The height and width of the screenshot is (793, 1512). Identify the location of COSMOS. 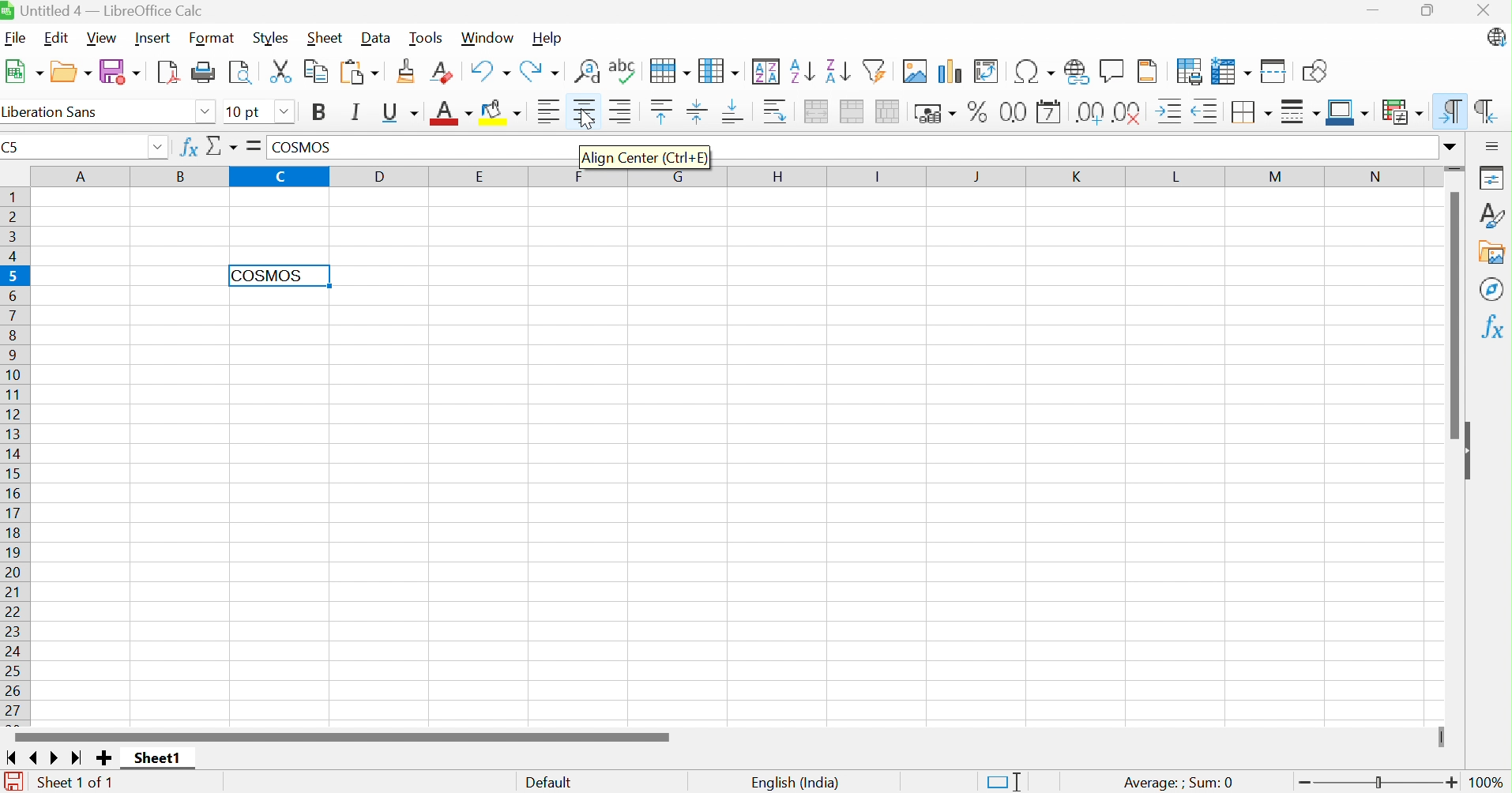
(271, 276).